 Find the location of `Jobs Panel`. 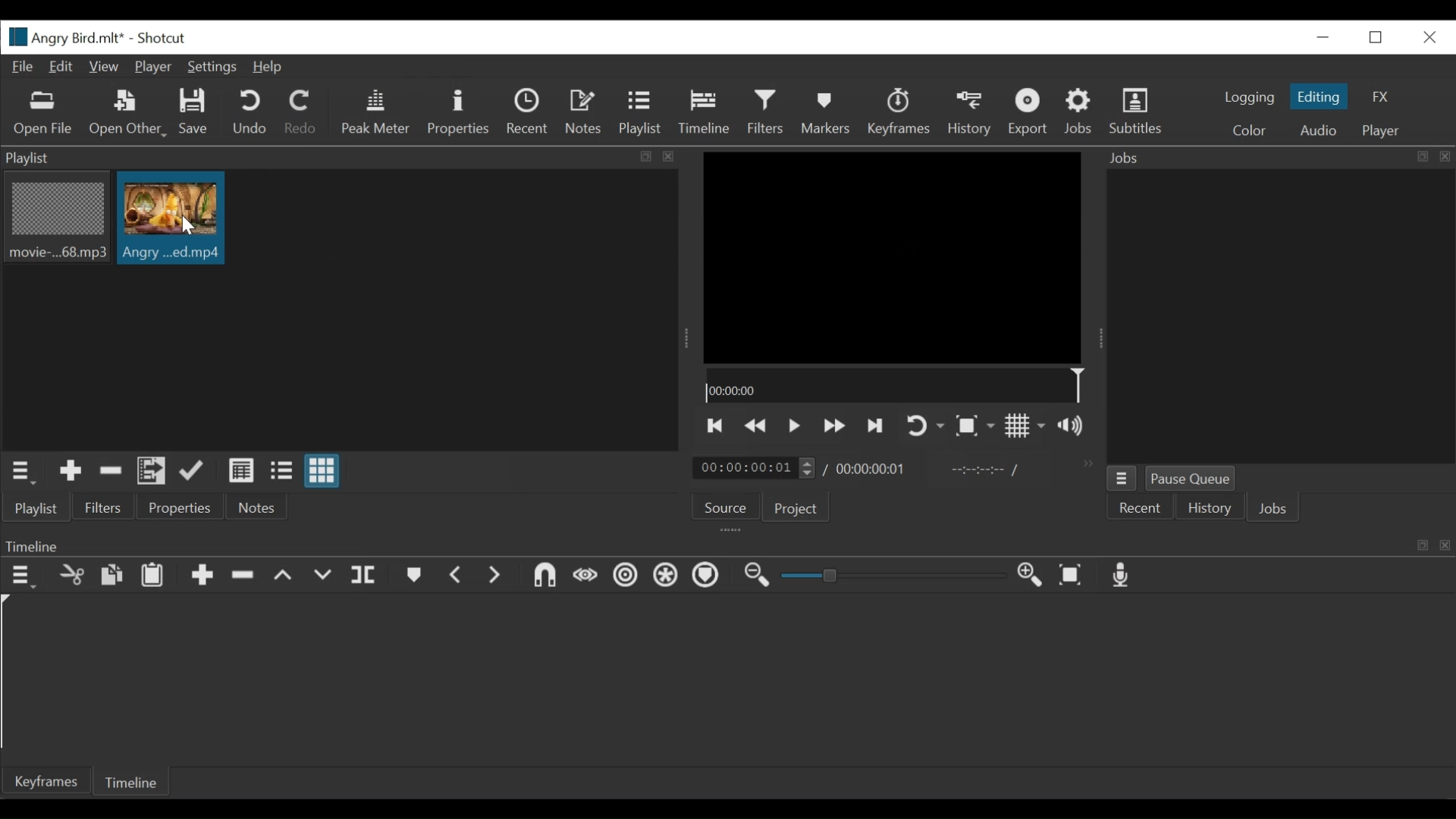

Jobs Panel is located at coordinates (1280, 318).